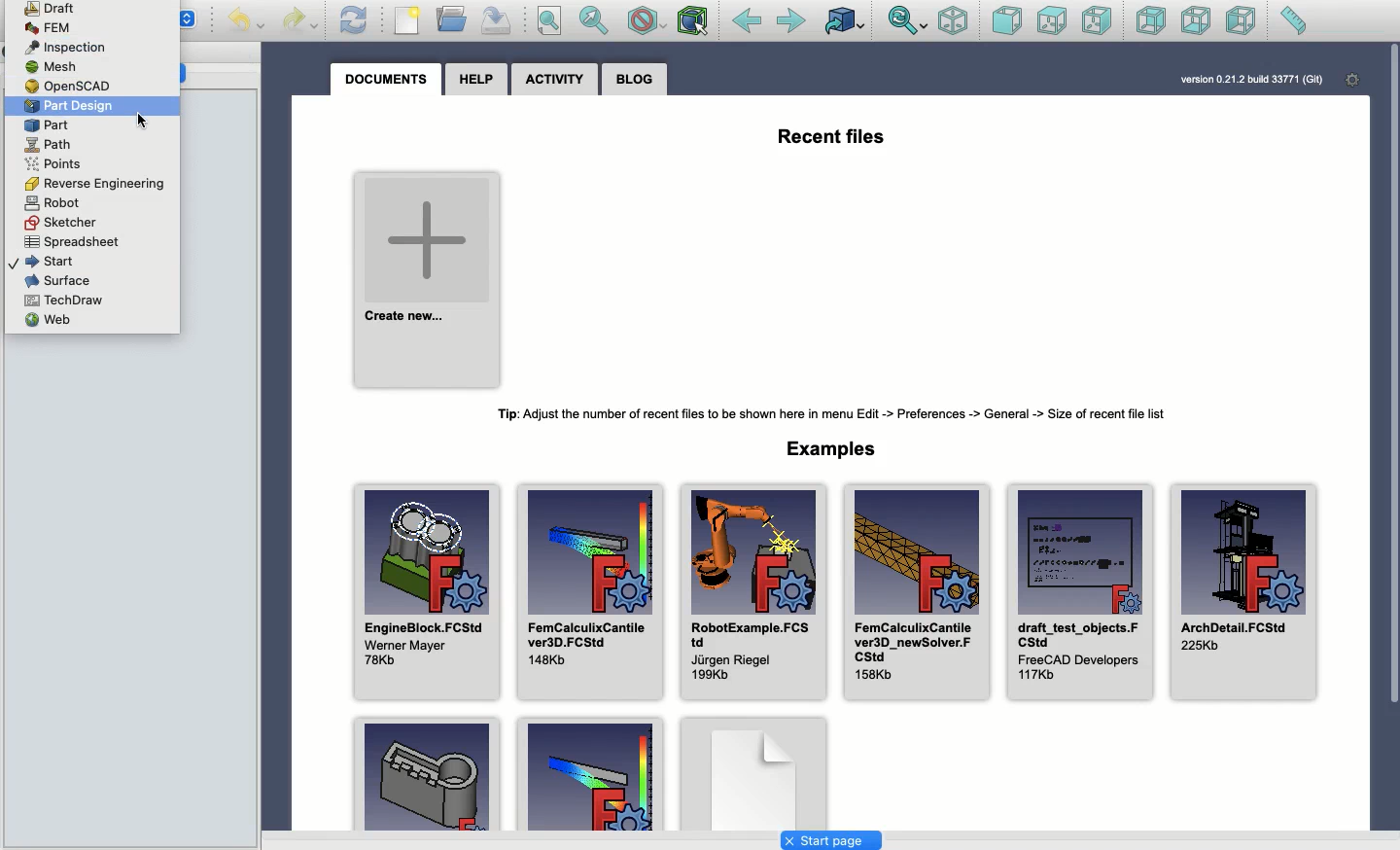  I want to click on Front, so click(1007, 22).